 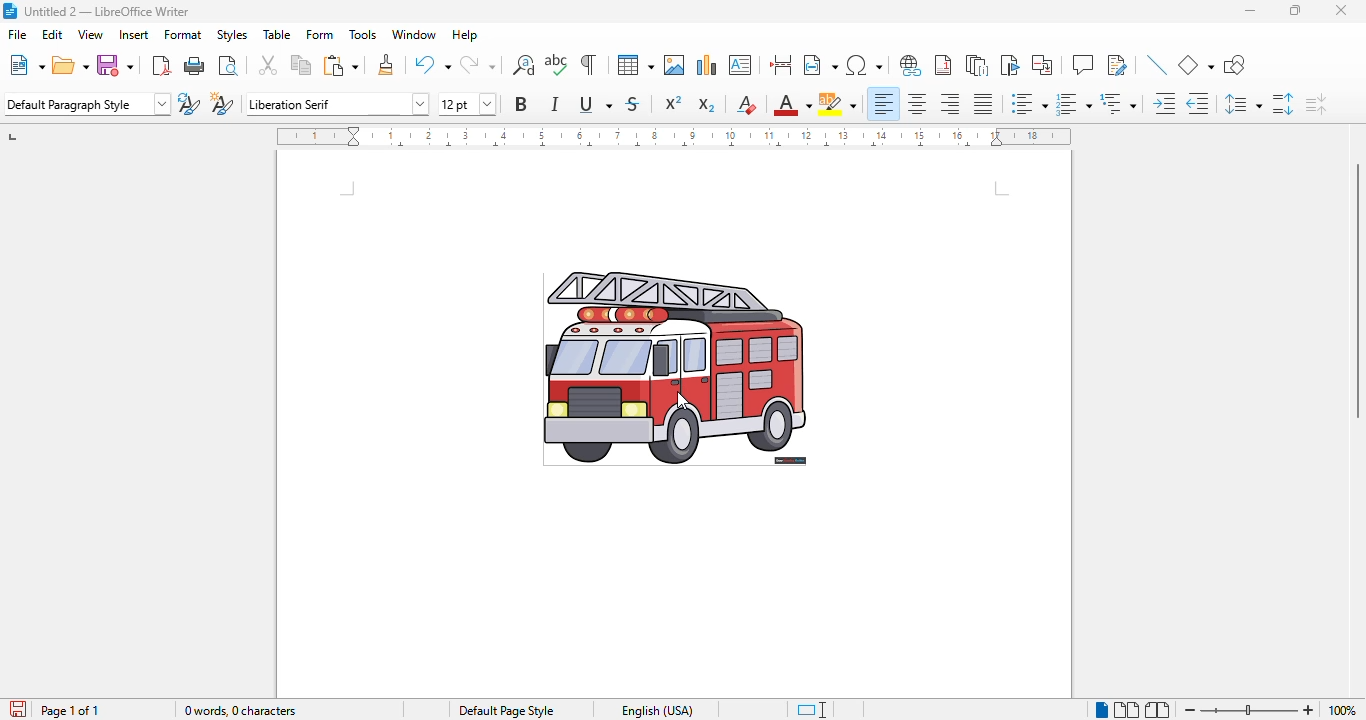 I want to click on vertical scroll bar, so click(x=1357, y=290).